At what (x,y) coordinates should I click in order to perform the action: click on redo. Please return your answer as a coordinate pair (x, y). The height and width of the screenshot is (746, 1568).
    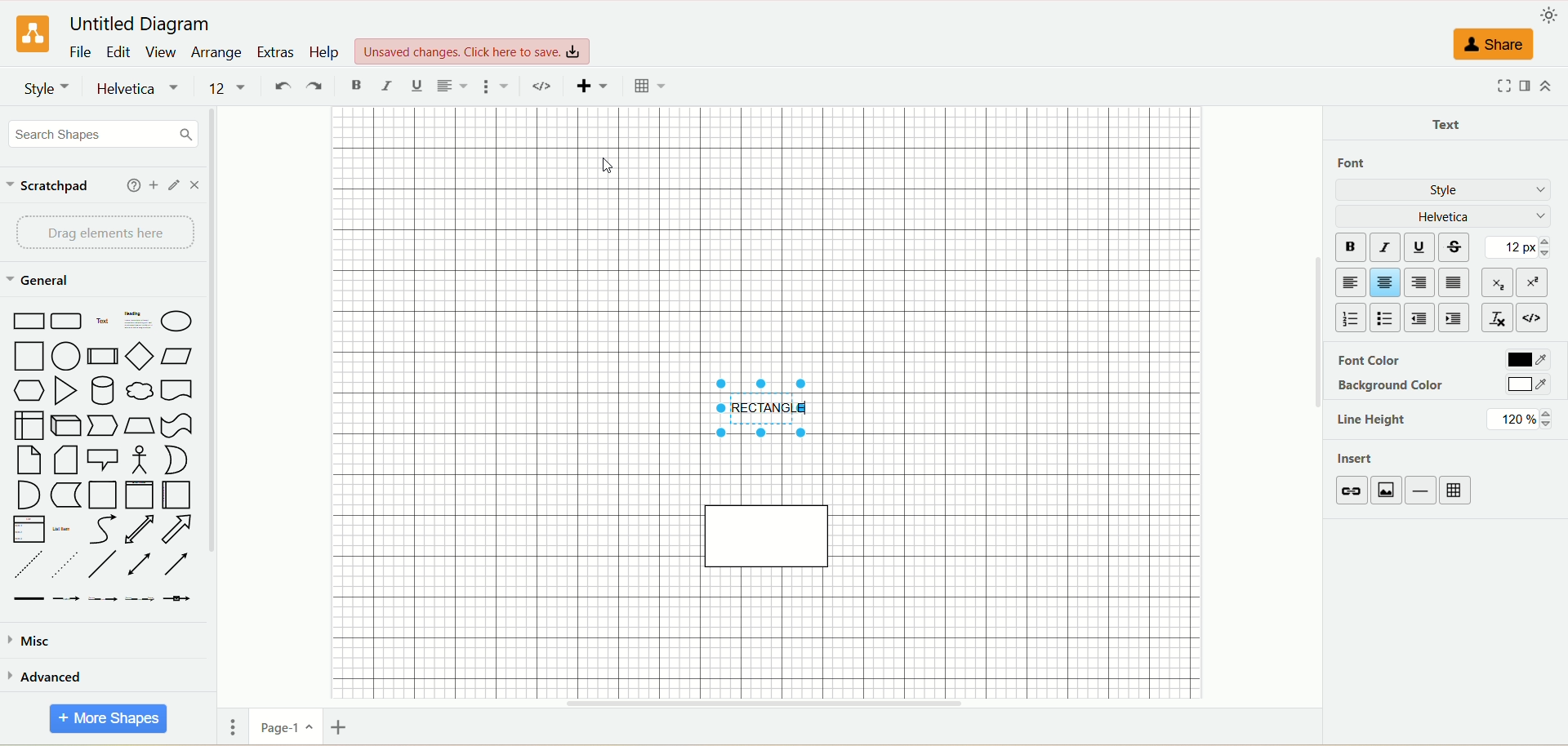
    Looking at the image, I should click on (317, 87).